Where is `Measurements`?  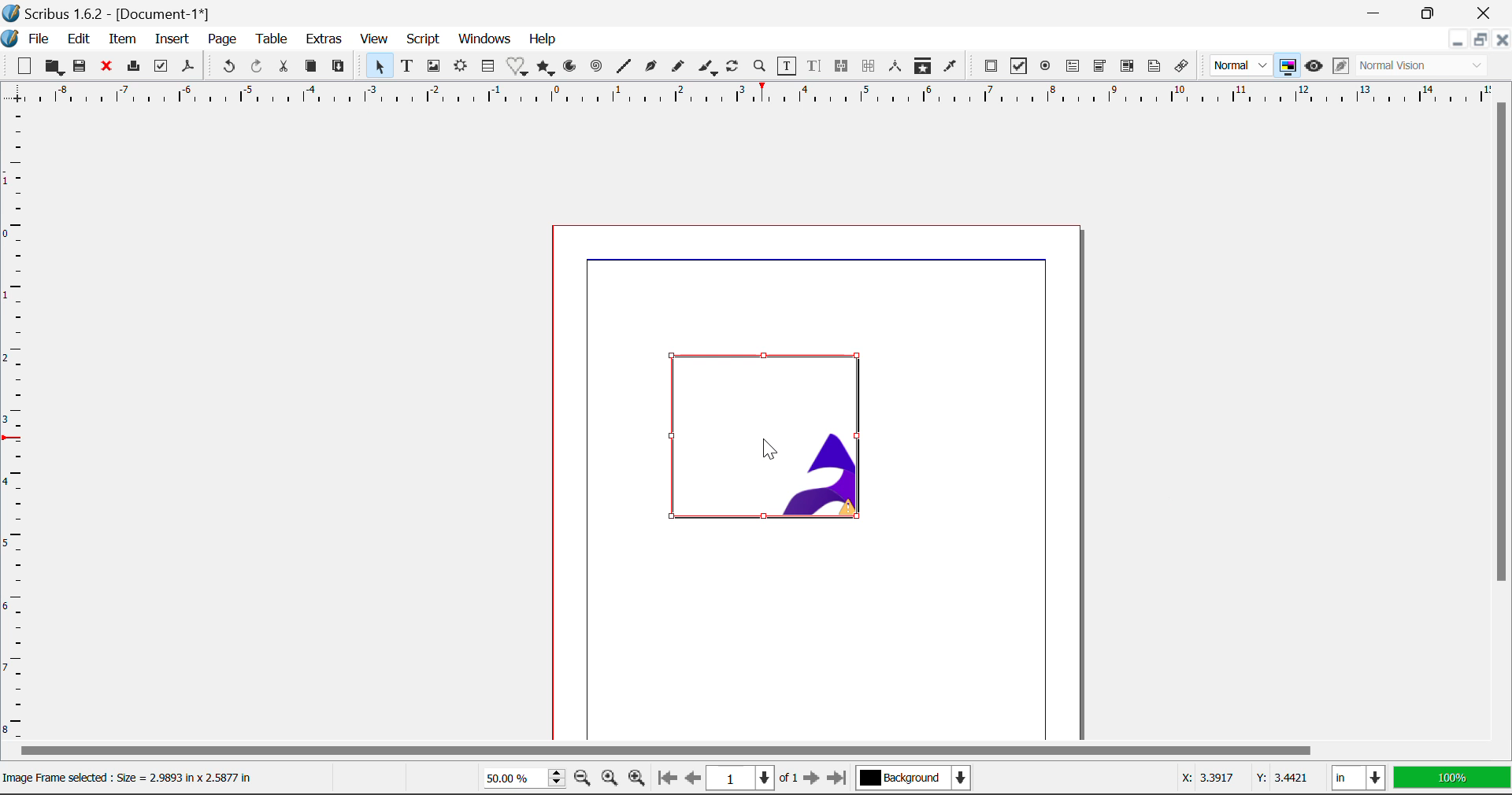
Measurements is located at coordinates (897, 68).